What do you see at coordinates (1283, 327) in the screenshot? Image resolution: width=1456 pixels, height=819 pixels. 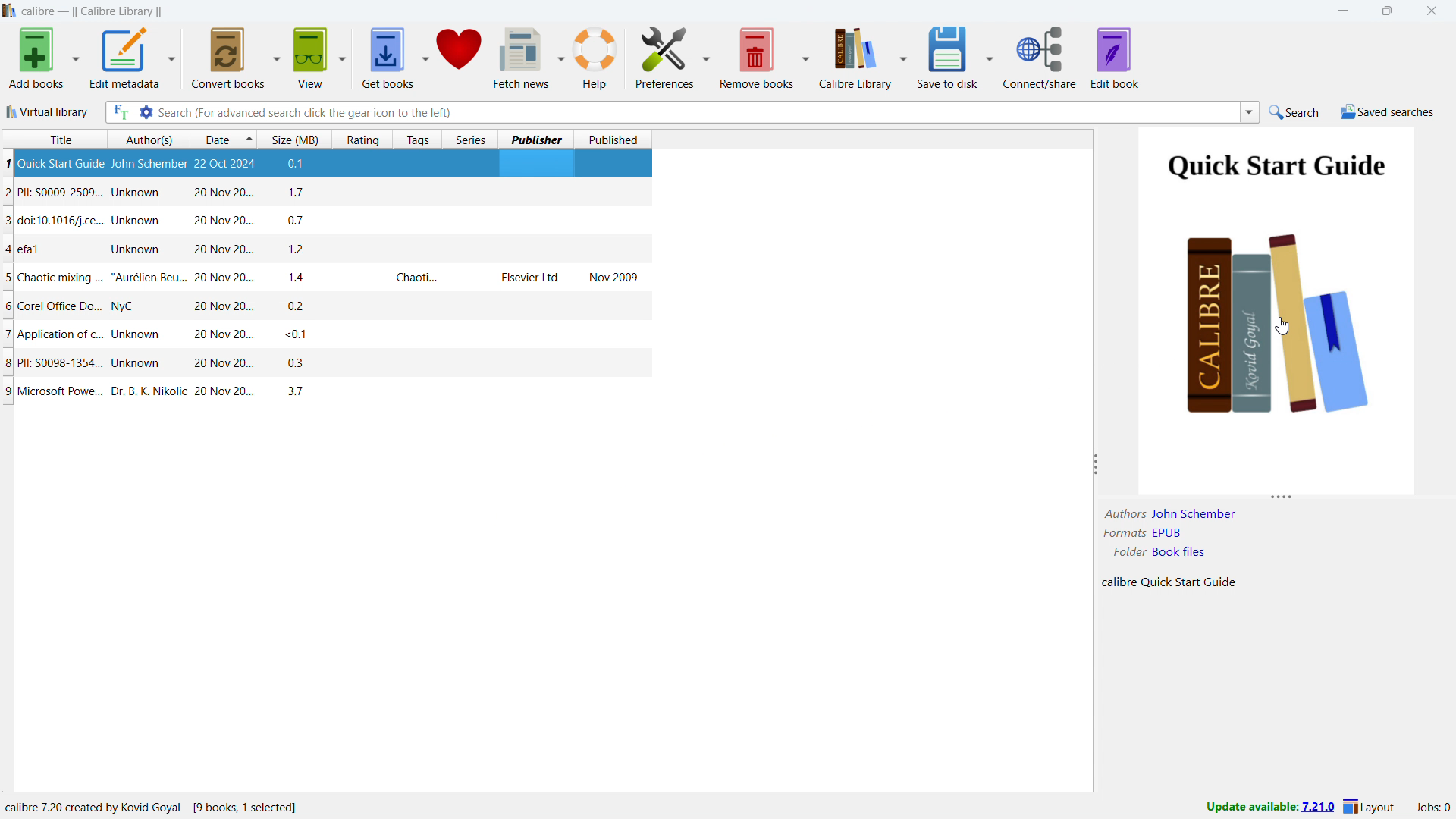 I see `cursor` at bounding box center [1283, 327].